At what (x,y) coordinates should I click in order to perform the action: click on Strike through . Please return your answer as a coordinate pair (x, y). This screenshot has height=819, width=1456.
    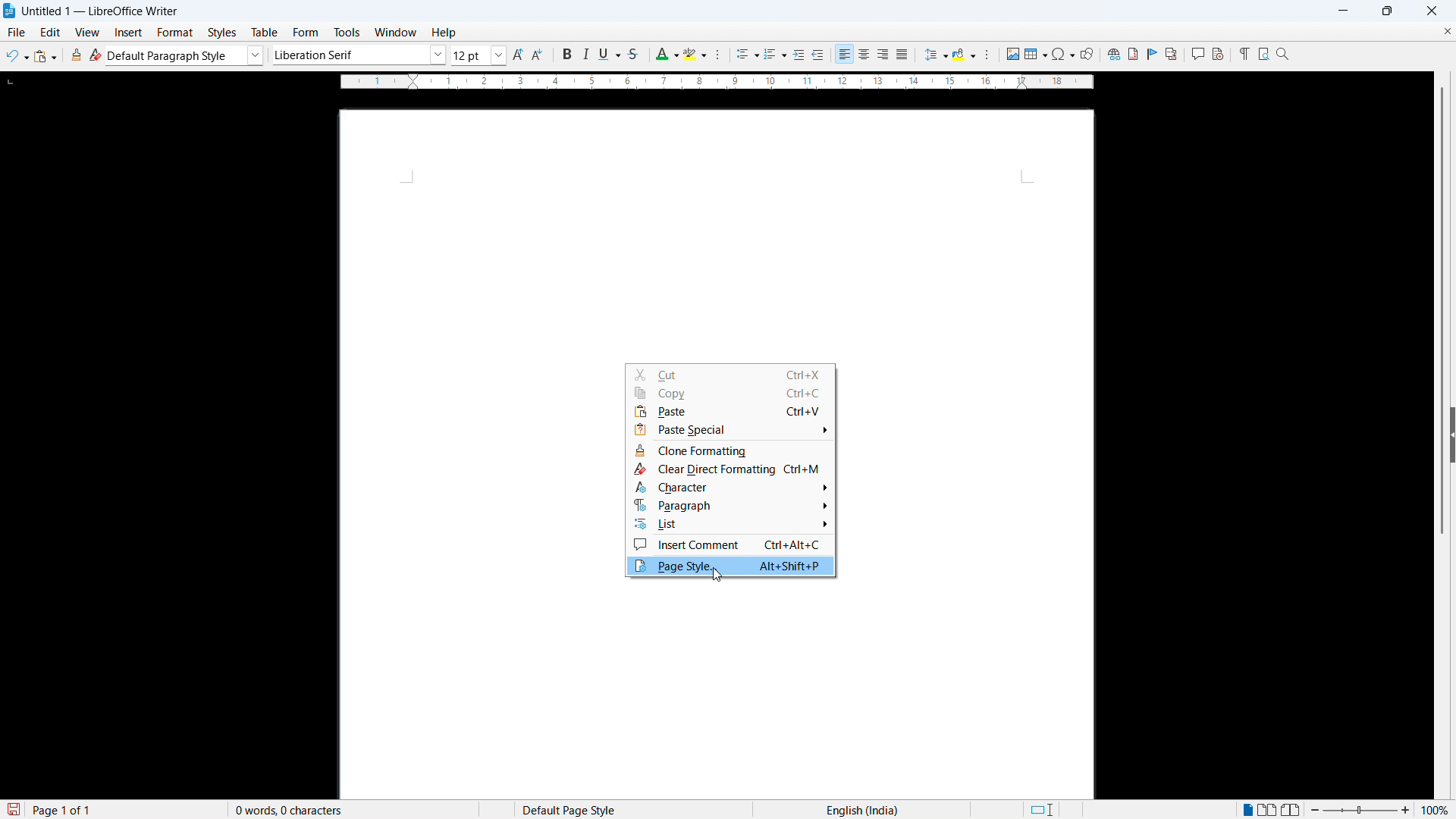
    Looking at the image, I should click on (632, 54).